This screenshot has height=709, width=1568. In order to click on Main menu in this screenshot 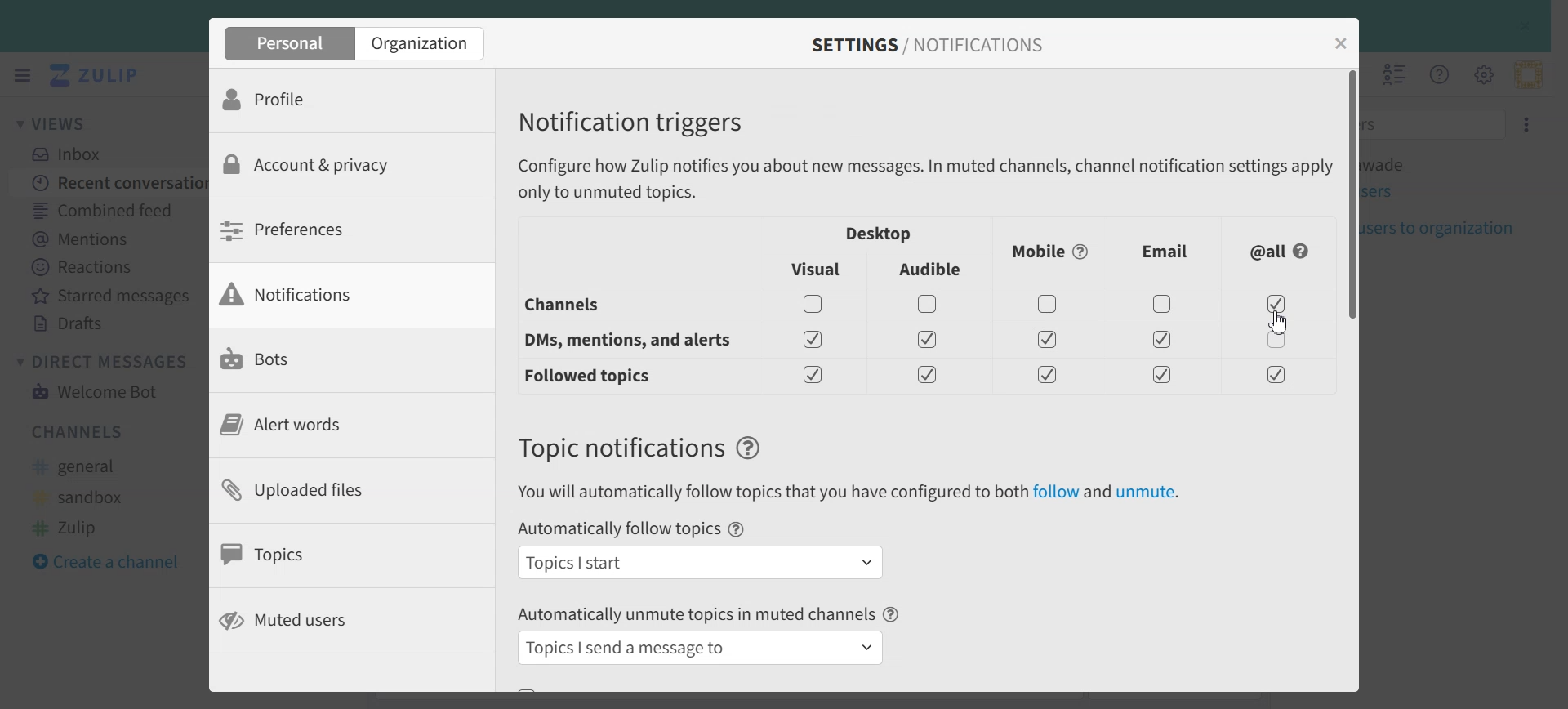, I will do `click(1483, 74)`.